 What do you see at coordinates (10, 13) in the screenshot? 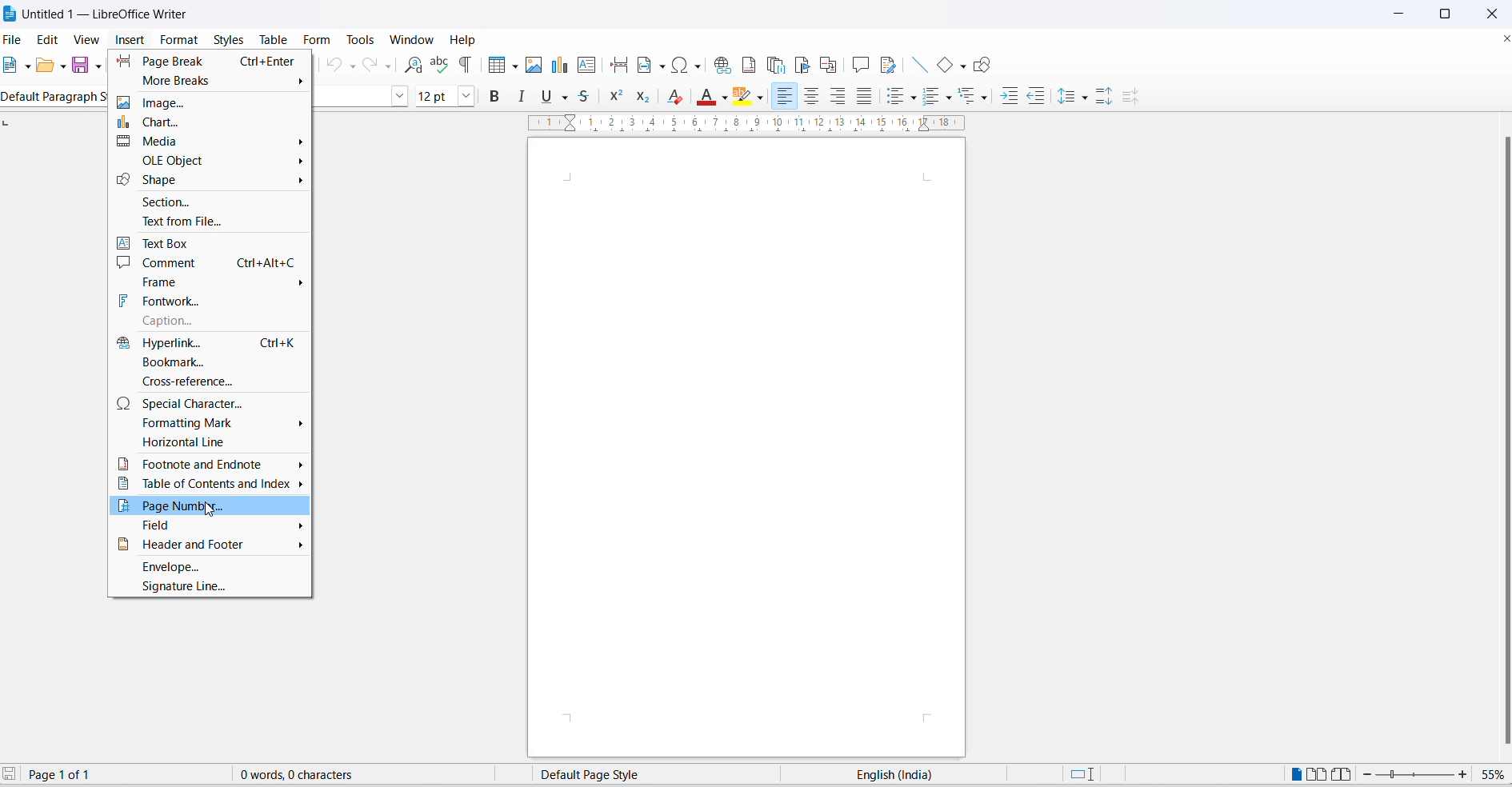
I see `libreoffice logo` at bounding box center [10, 13].